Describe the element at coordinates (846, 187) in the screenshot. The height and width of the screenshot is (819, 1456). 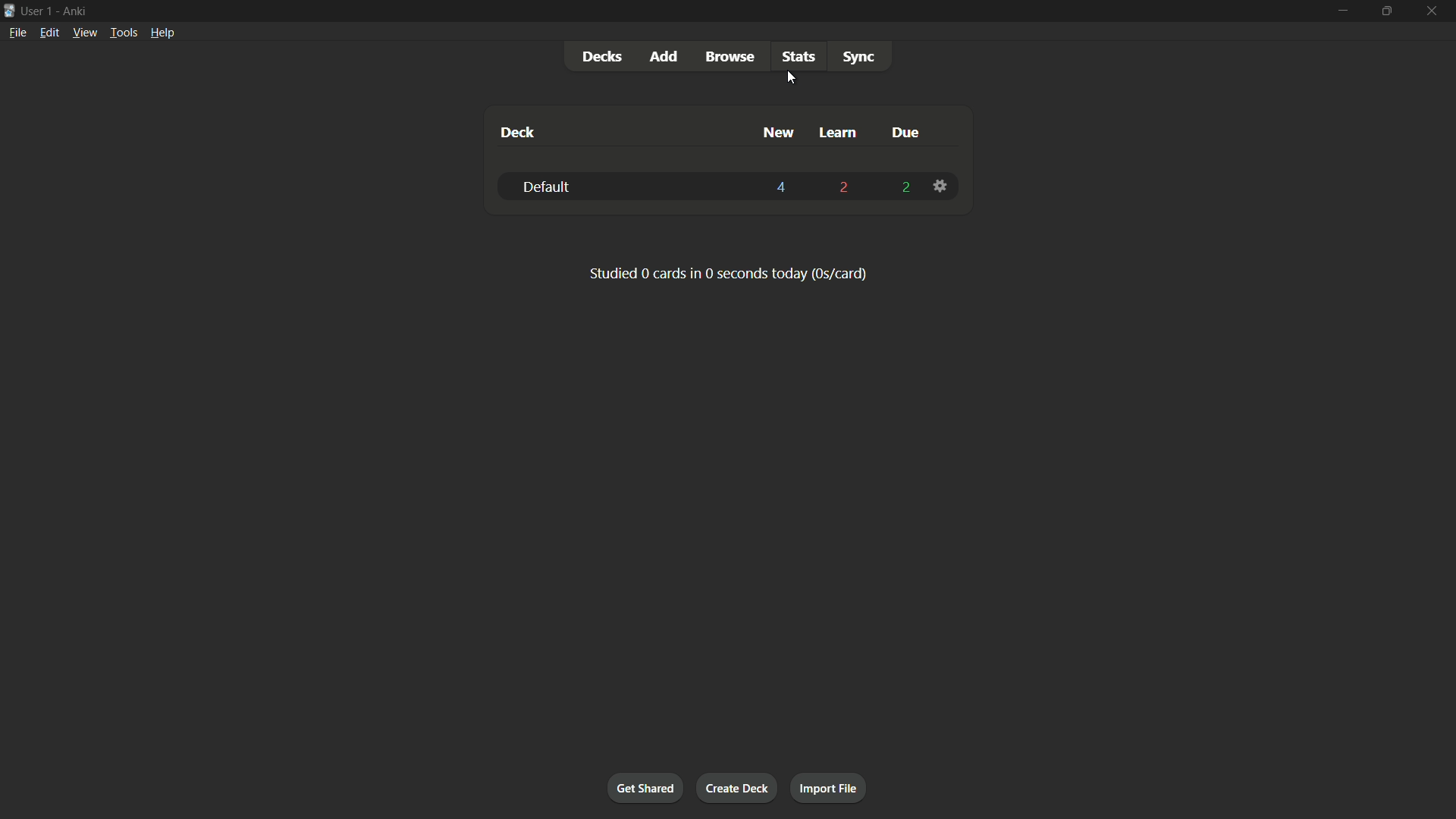
I see `2` at that location.